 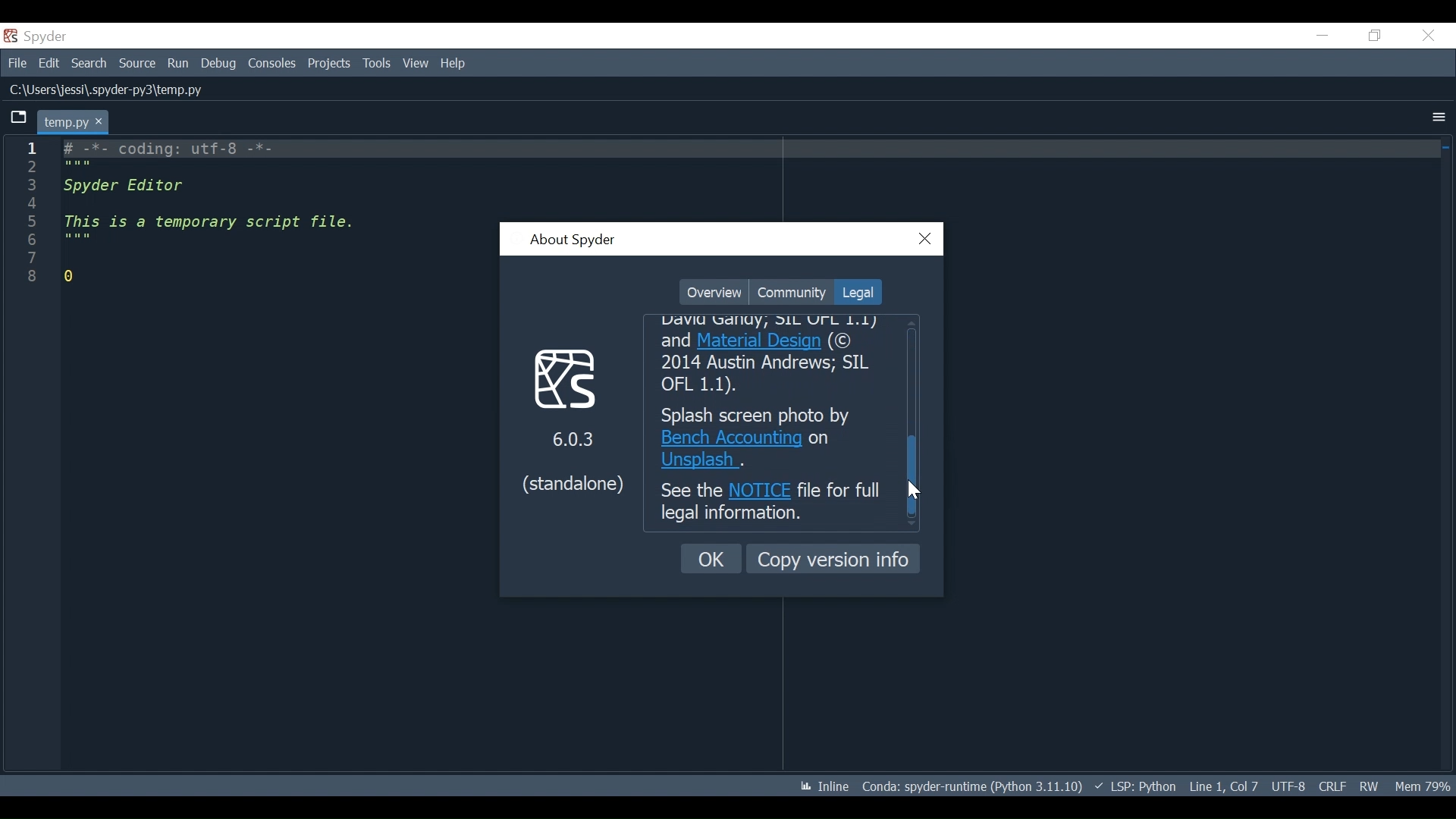 I want to click on See the NOTICE file for full legal information., so click(x=771, y=504).